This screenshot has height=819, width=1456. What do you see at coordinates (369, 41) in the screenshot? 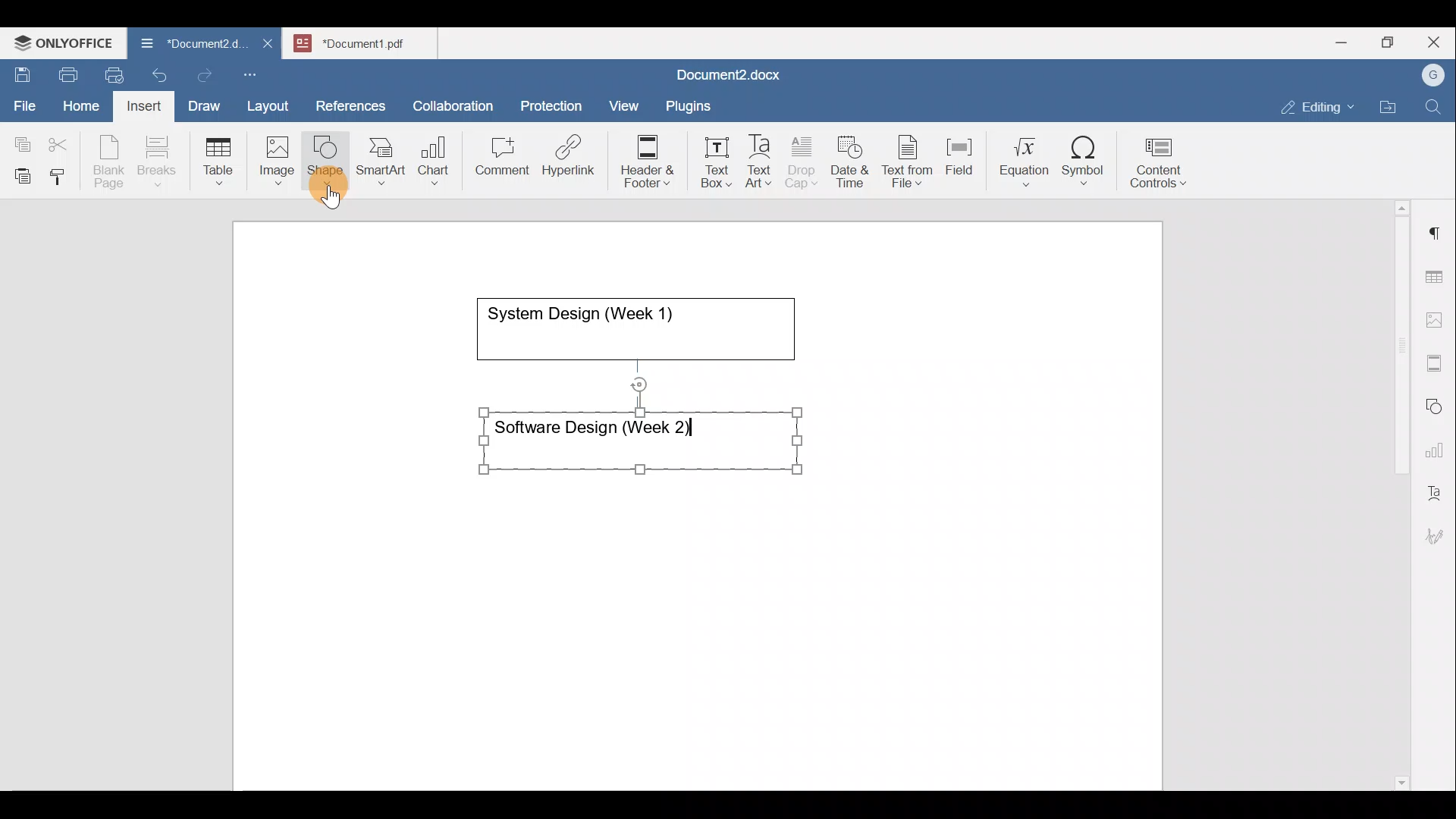
I see `Document name` at bounding box center [369, 41].